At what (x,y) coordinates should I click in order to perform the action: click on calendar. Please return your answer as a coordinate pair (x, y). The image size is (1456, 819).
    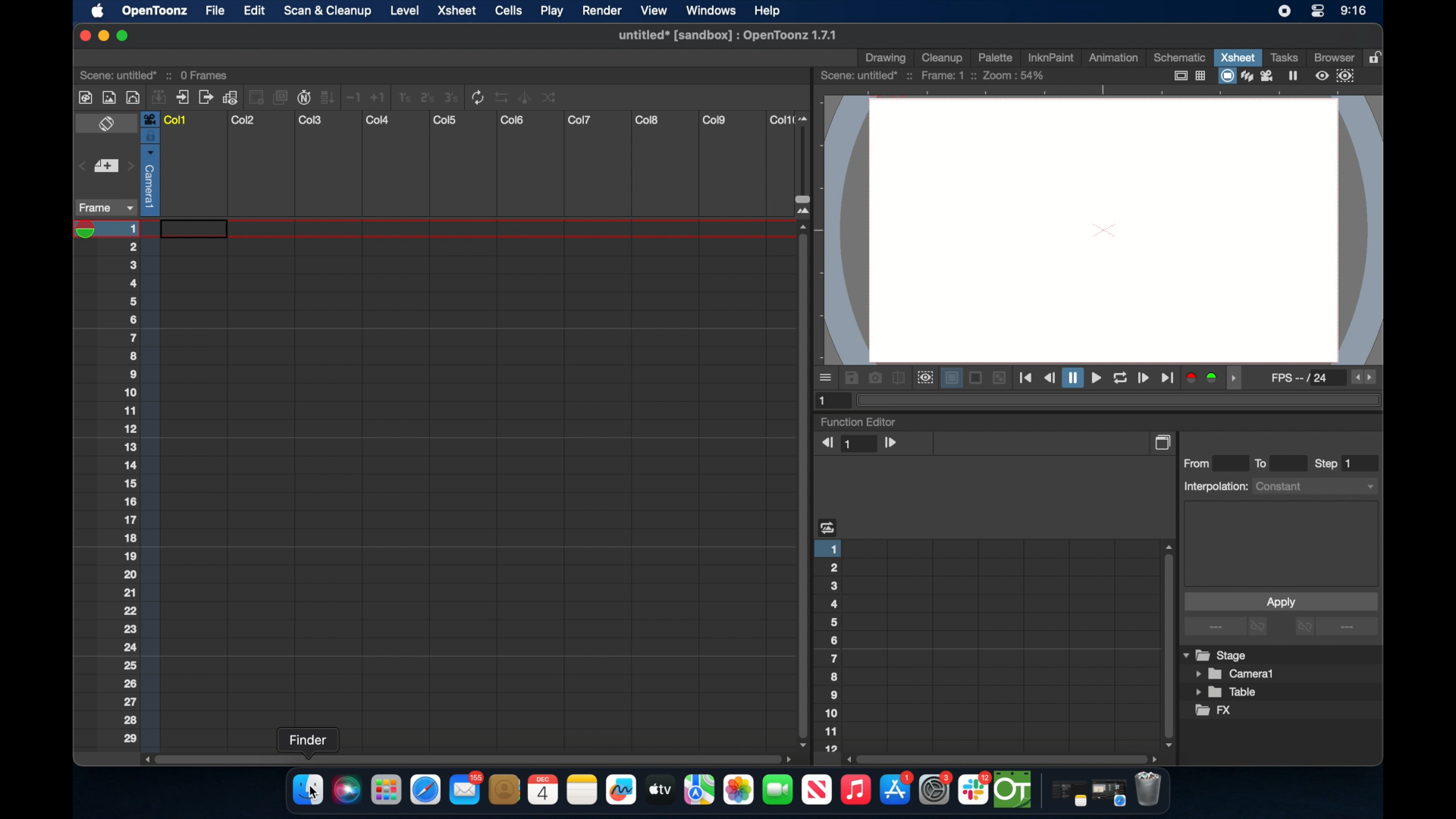
    Looking at the image, I should click on (542, 789).